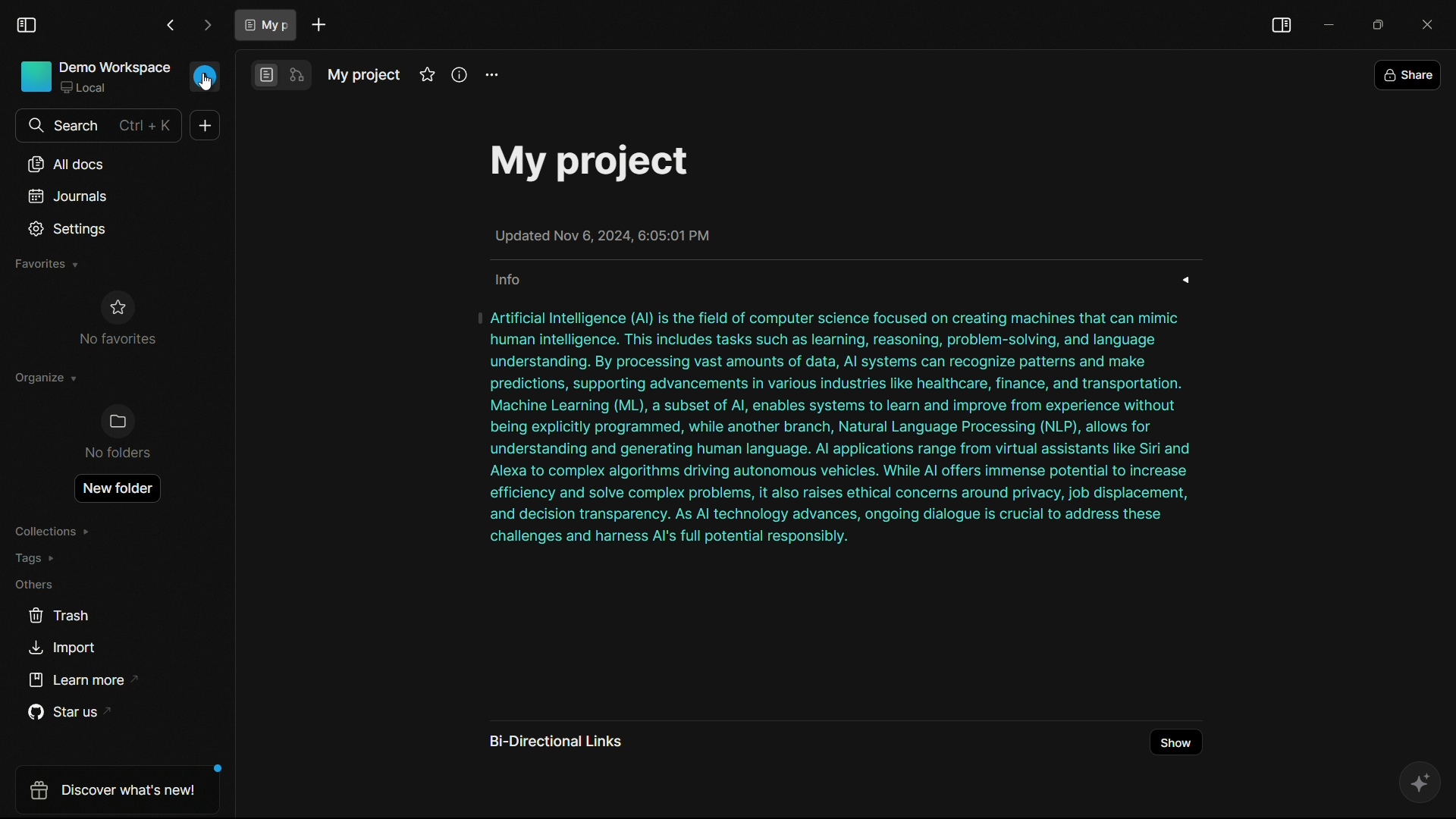 Image resolution: width=1456 pixels, height=819 pixels. What do you see at coordinates (1428, 22) in the screenshot?
I see `close app` at bounding box center [1428, 22].